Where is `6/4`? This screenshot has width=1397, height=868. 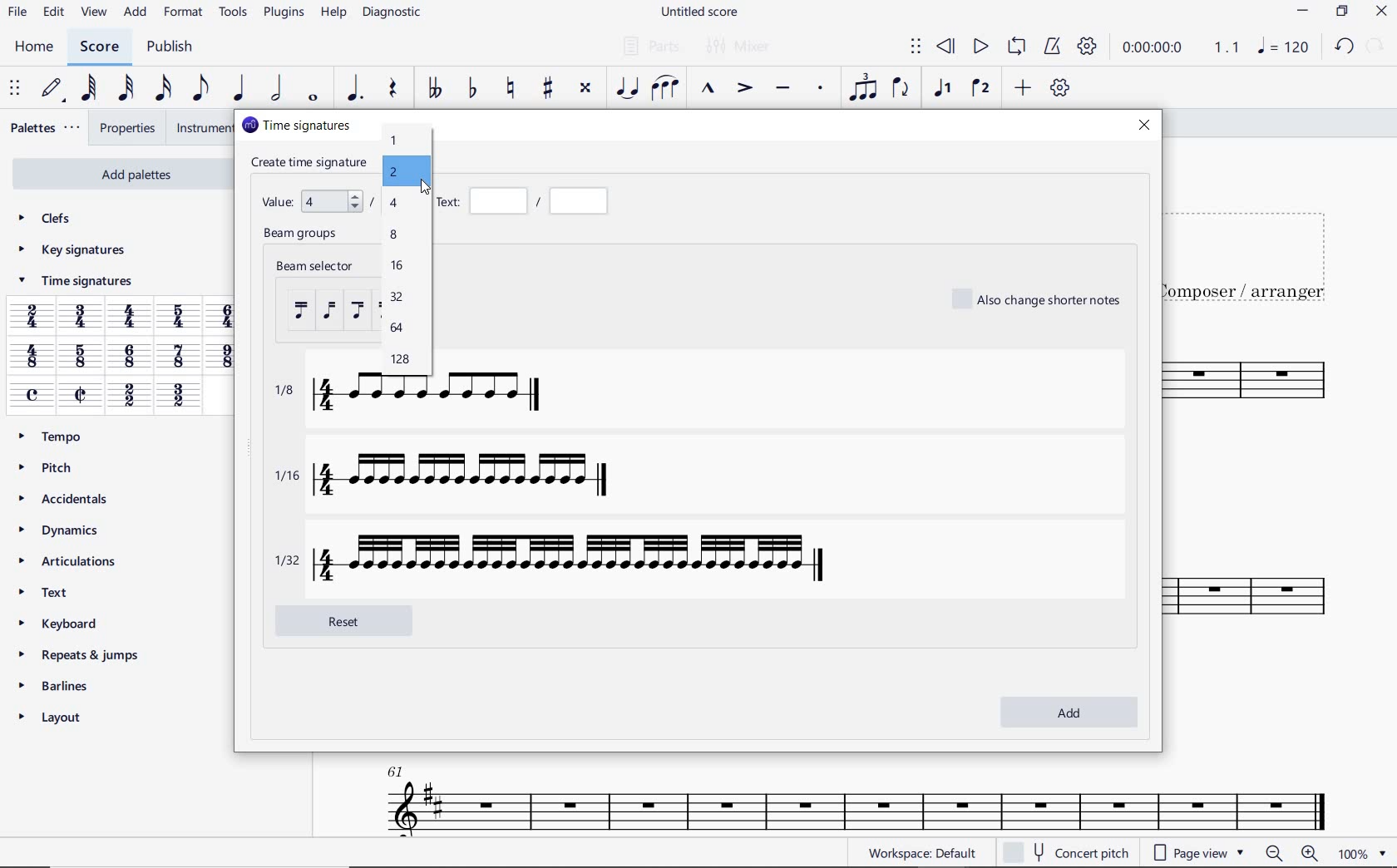 6/4 is located at coordinates (227, 316).